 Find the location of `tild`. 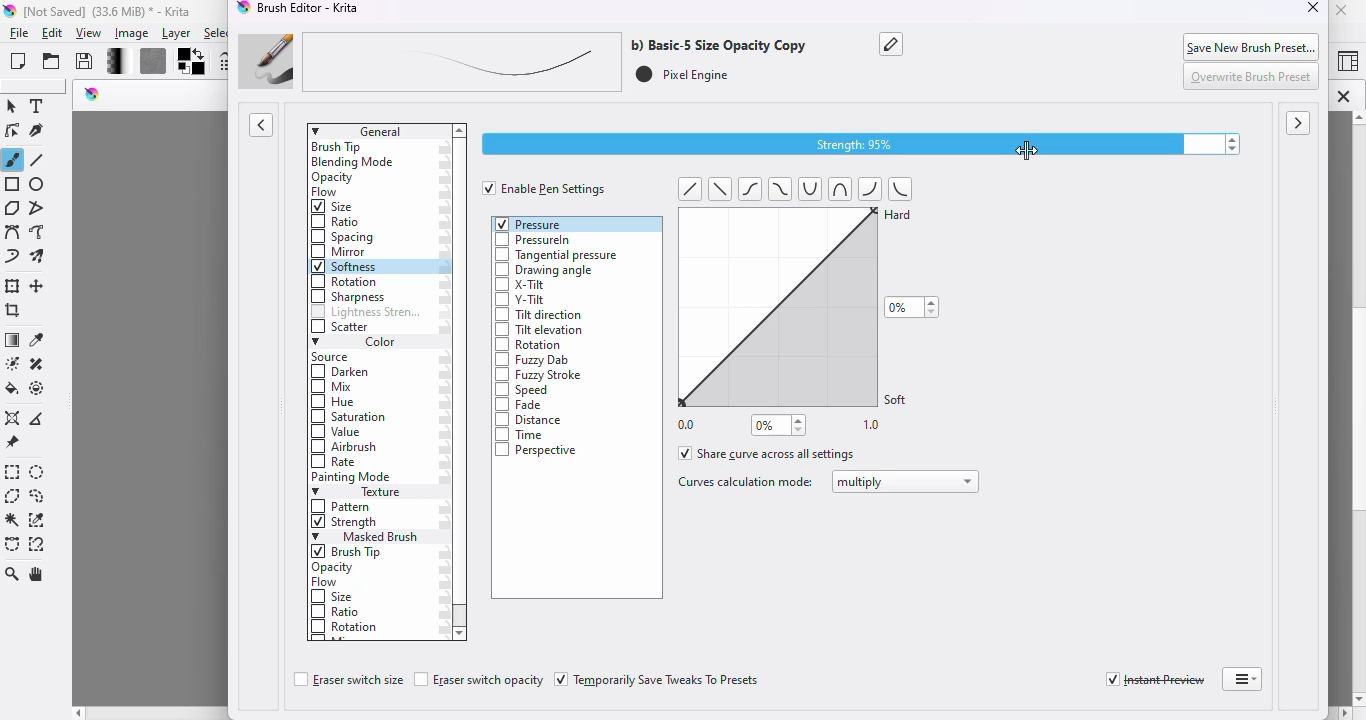

tild is located at coordinates (752, 188).